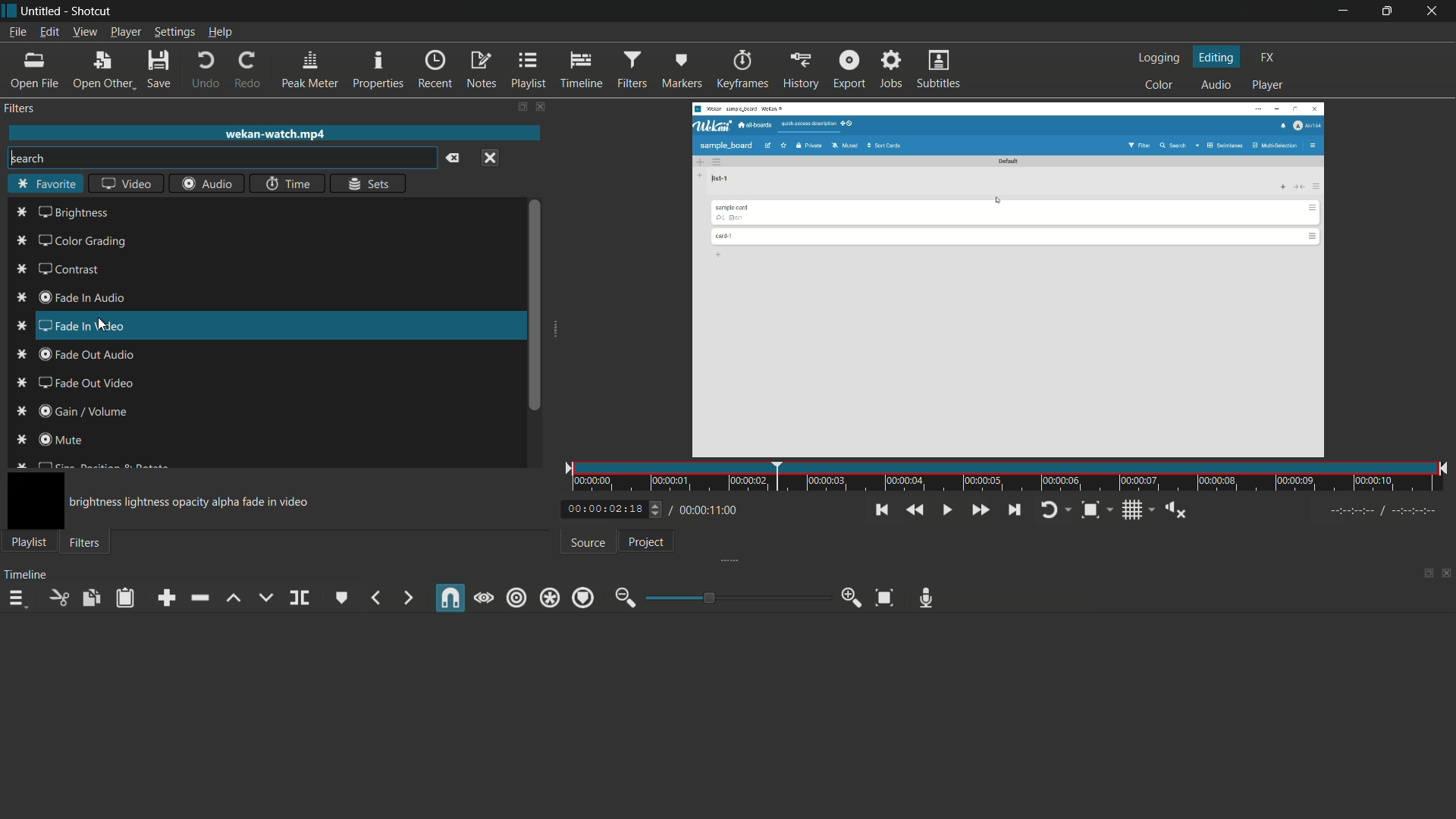  I want to click on file menu, so click(16, 33).